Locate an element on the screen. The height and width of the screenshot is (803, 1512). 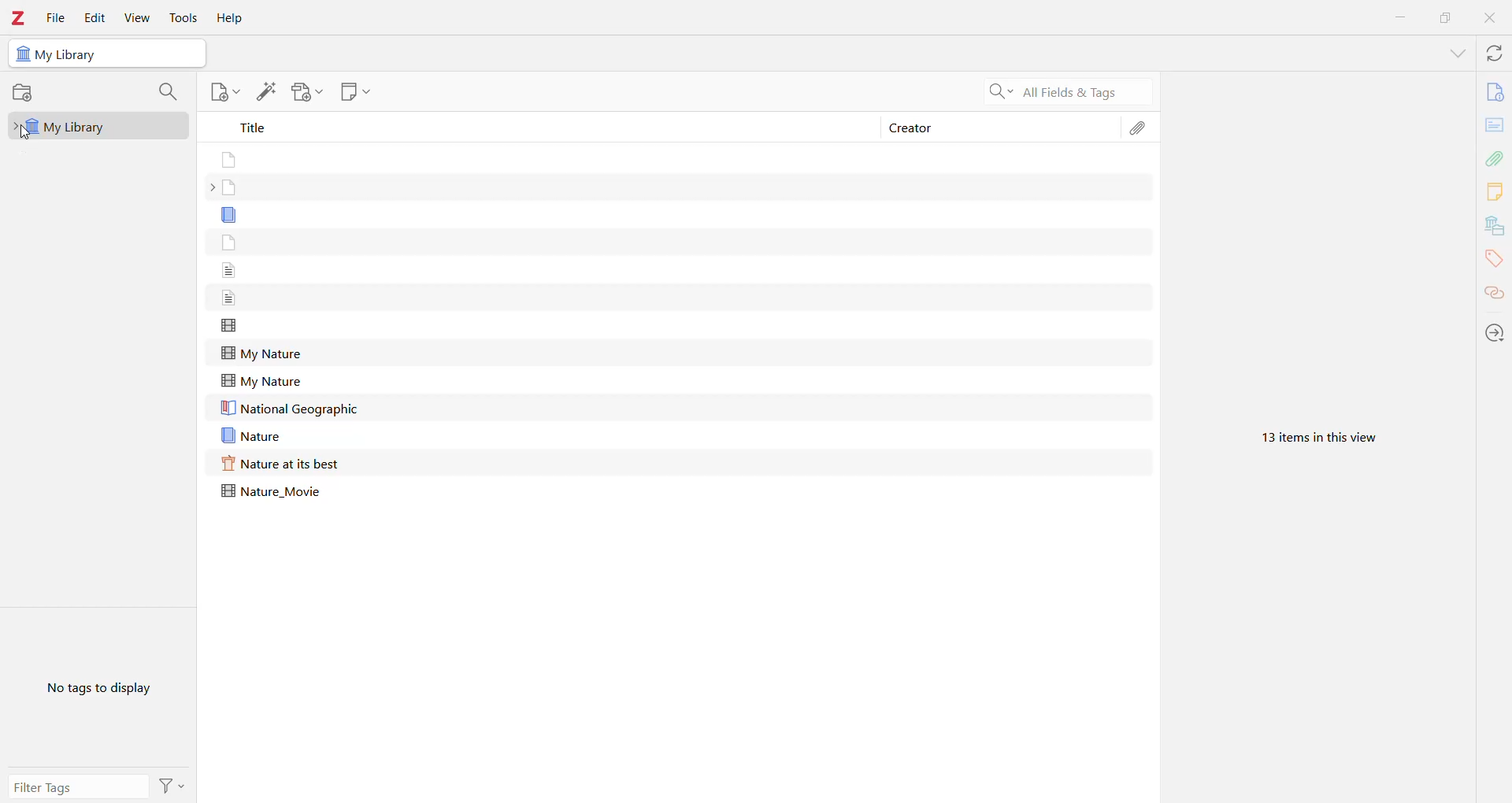
Without title file is located at coordinates (236, 187).